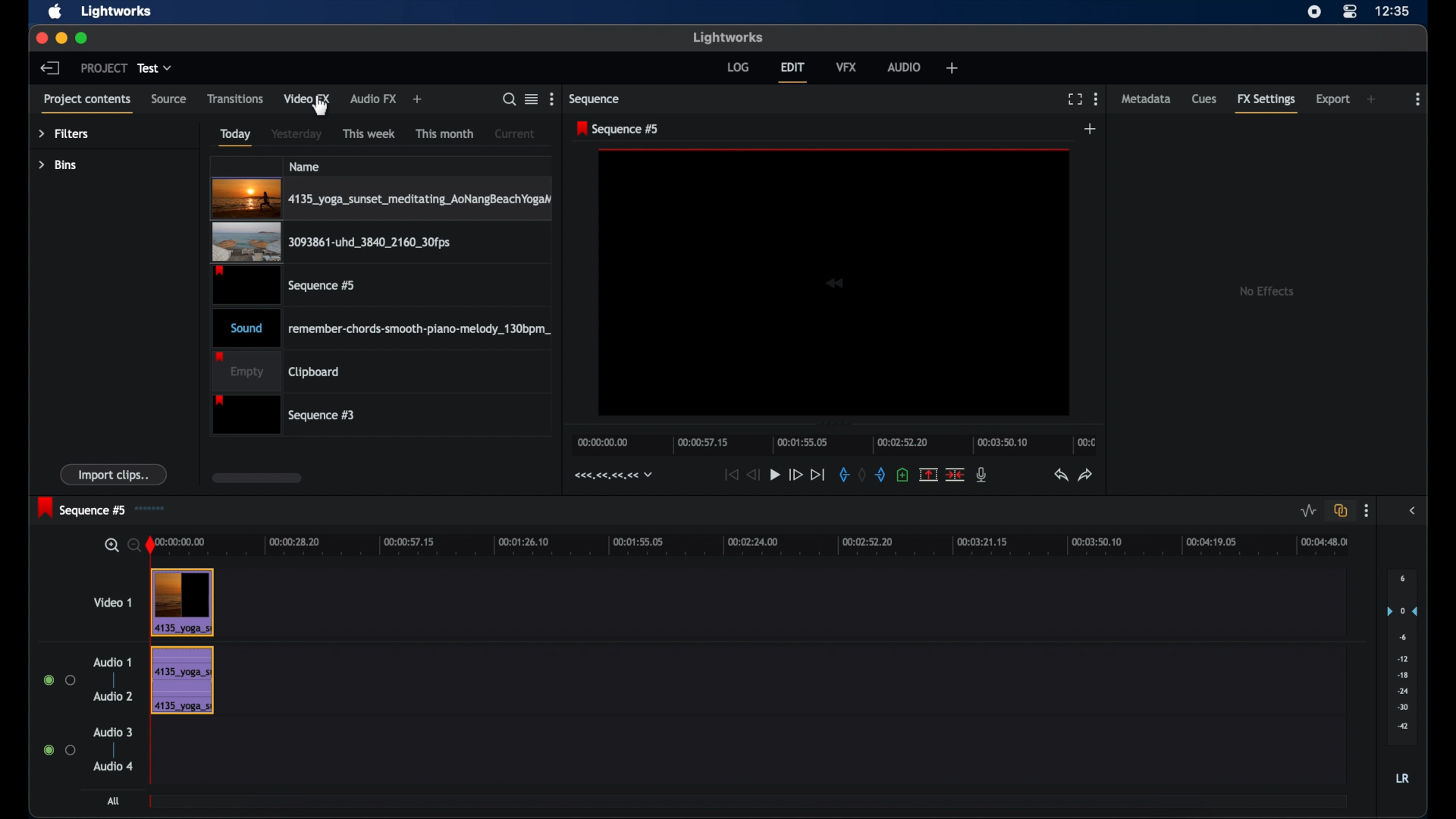 The image size is (1456, 819). What do you see at coordinates (880, 475) in the screenshot?
I see `add an out mark` at bounding box center [880, 475].